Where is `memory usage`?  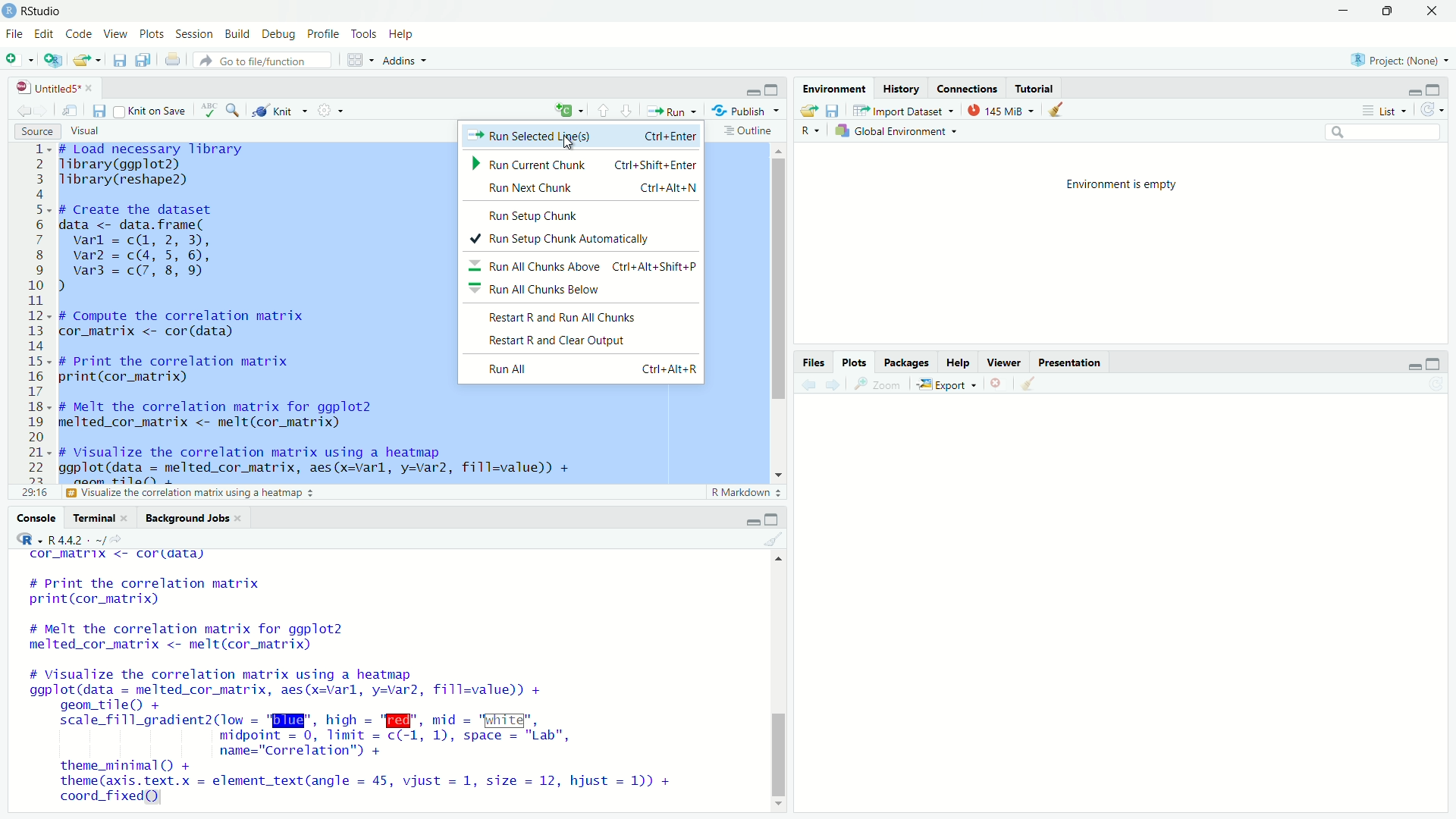
memory usage is located at coordinates (999, 110).